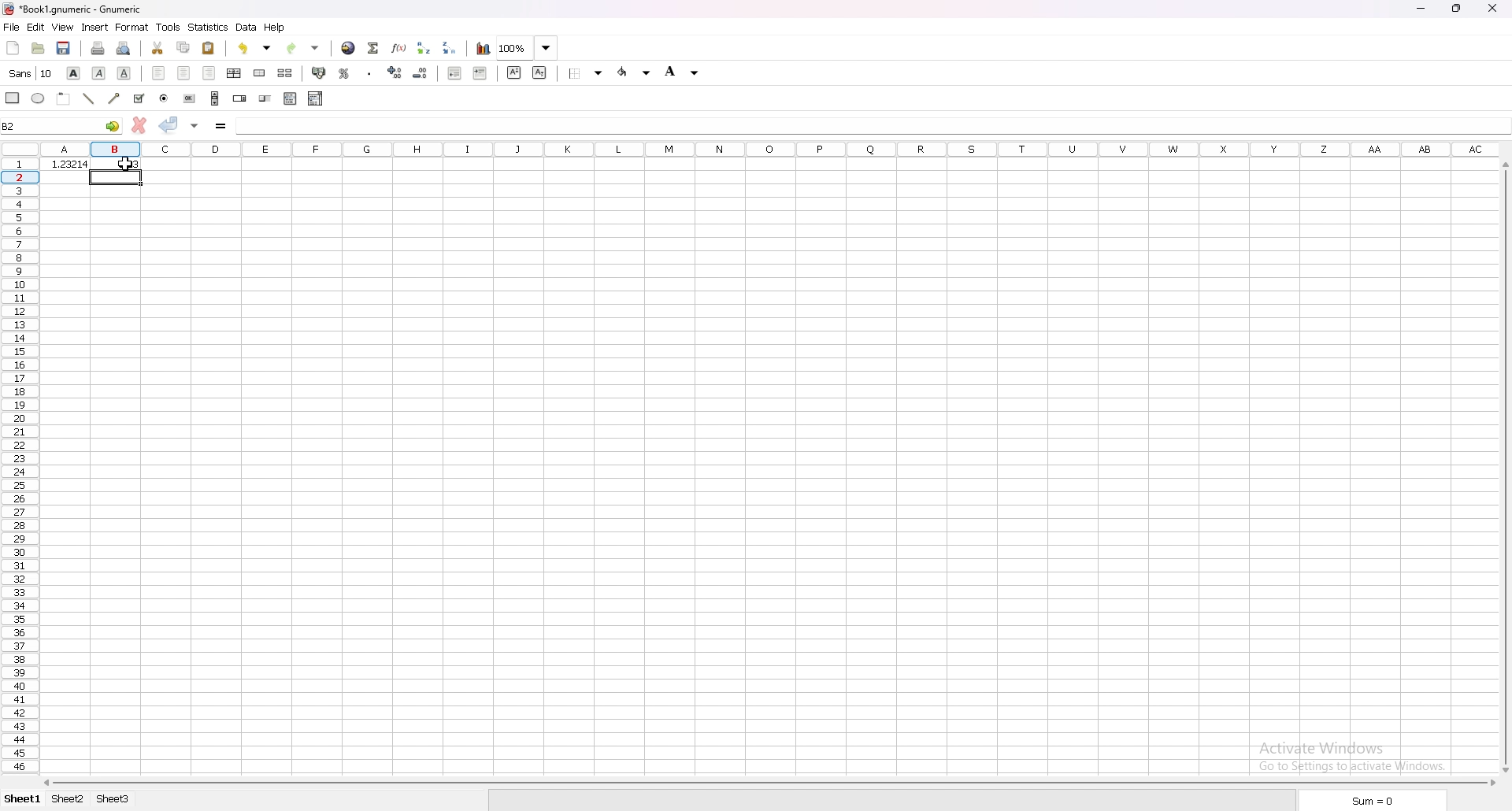  I want to click on superscript, so click(515, 73).